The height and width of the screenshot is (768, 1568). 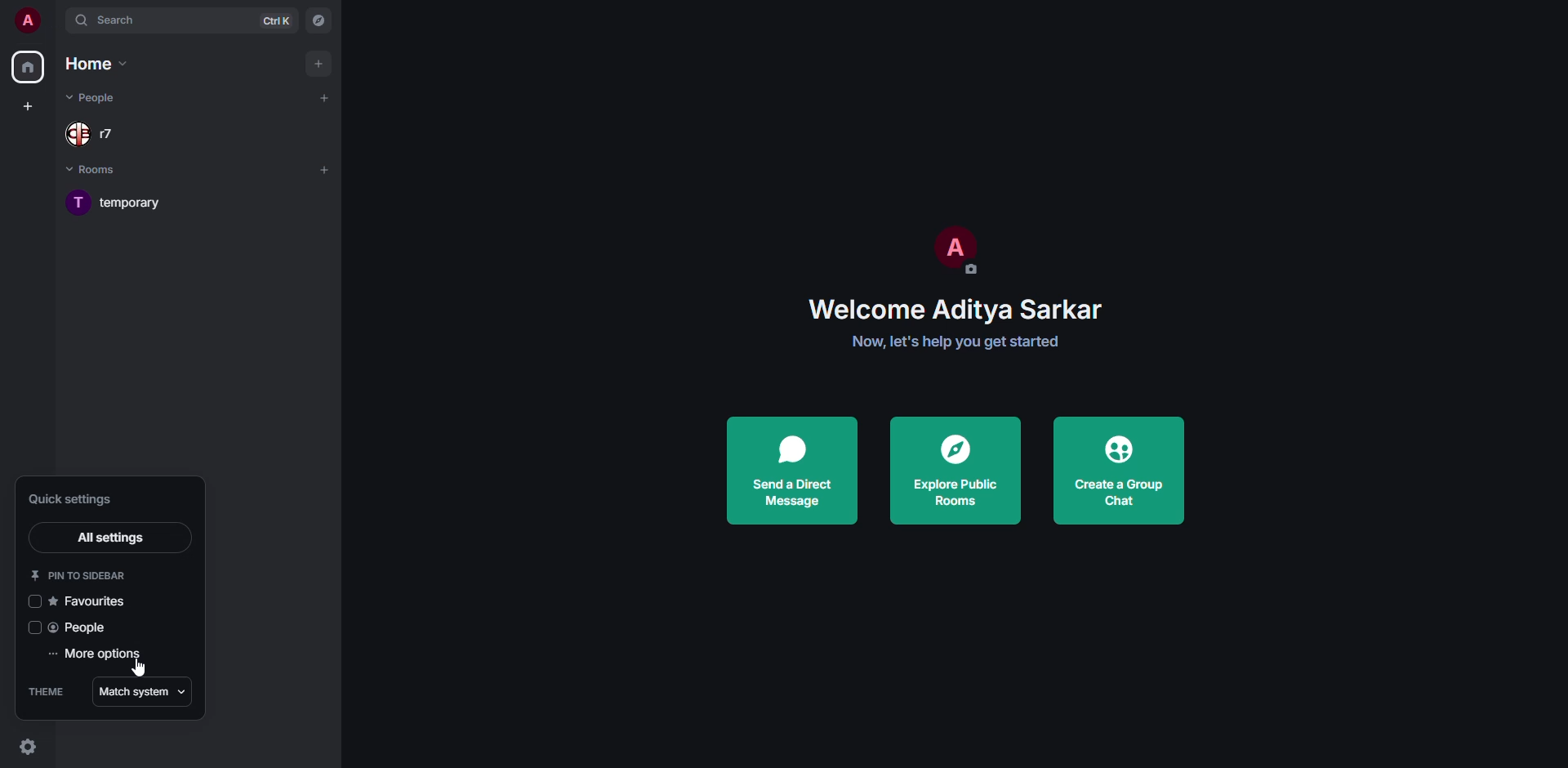 What do you see at coordinates (958, 309) in the screenshot?
I see `welcome` at bounding box center [958, 309].